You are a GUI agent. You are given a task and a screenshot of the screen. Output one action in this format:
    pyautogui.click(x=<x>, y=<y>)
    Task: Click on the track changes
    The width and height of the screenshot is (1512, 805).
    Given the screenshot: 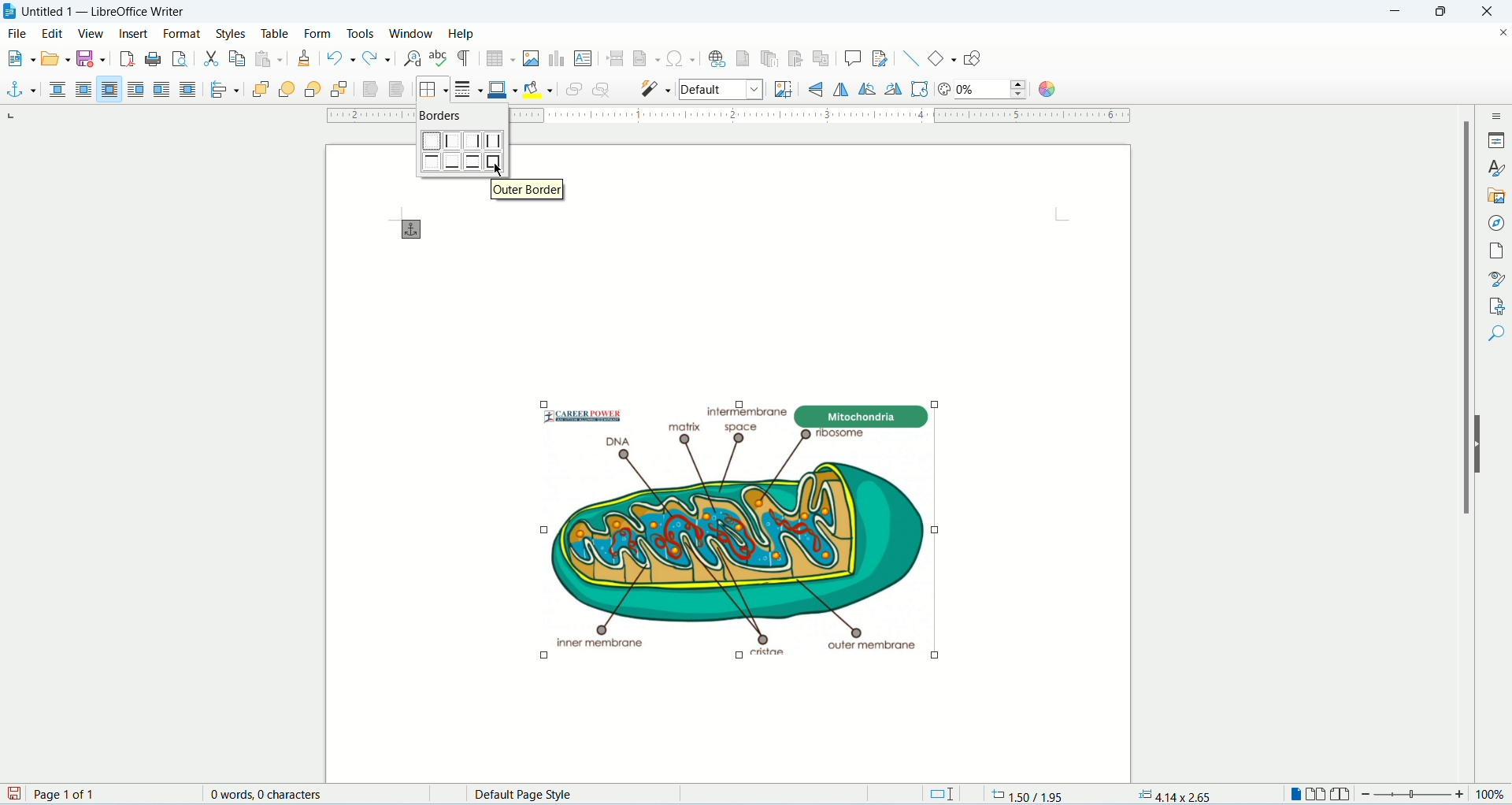 What is the action you would take?
    pyautogui.click(x=880, y=58)
    